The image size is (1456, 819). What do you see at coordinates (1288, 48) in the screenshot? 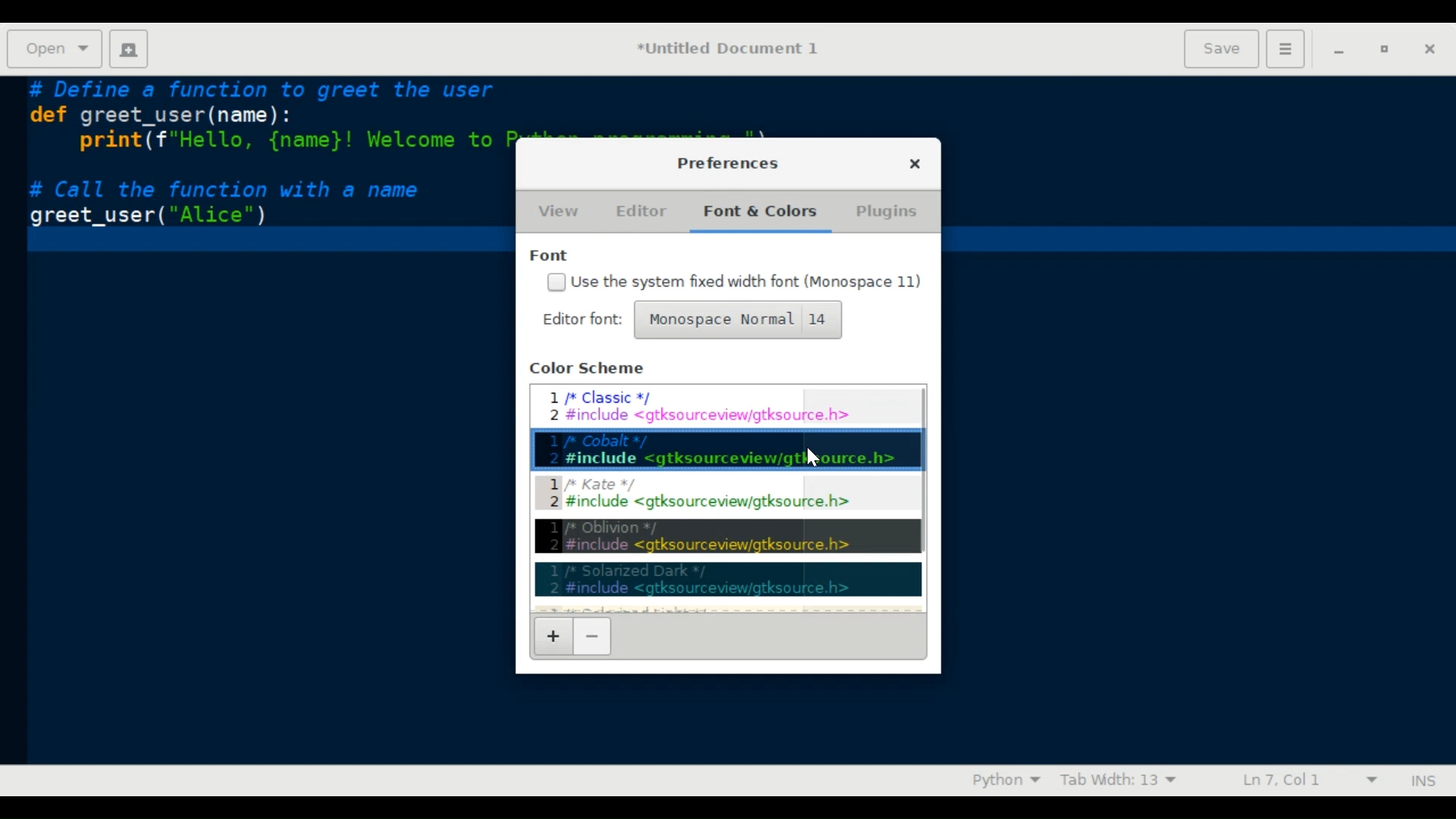
I see `Preferences` at bounding box center [1288, 48].